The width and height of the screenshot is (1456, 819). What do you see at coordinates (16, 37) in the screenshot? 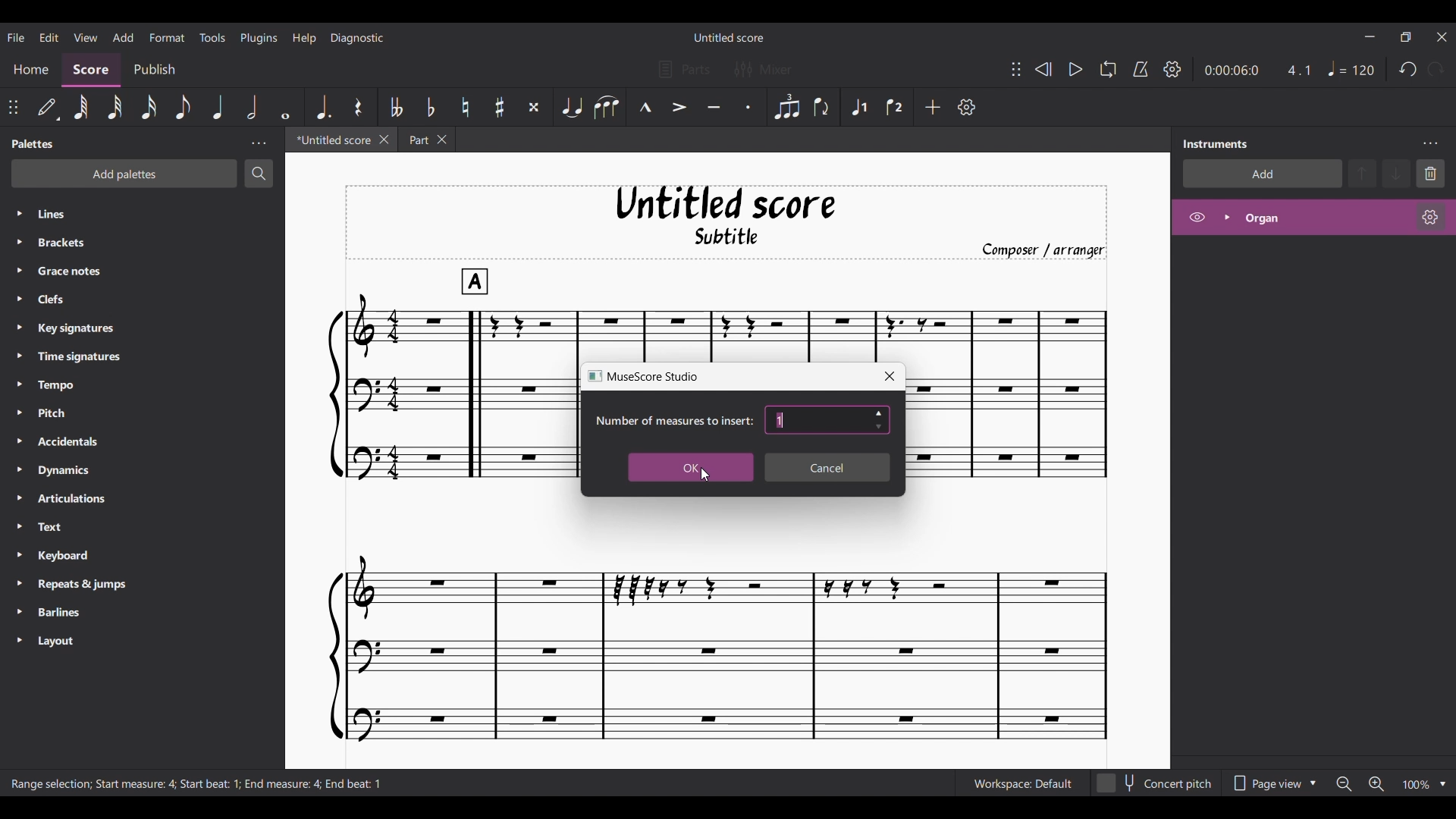
I see `File menu` at bounding box center [16, 37].